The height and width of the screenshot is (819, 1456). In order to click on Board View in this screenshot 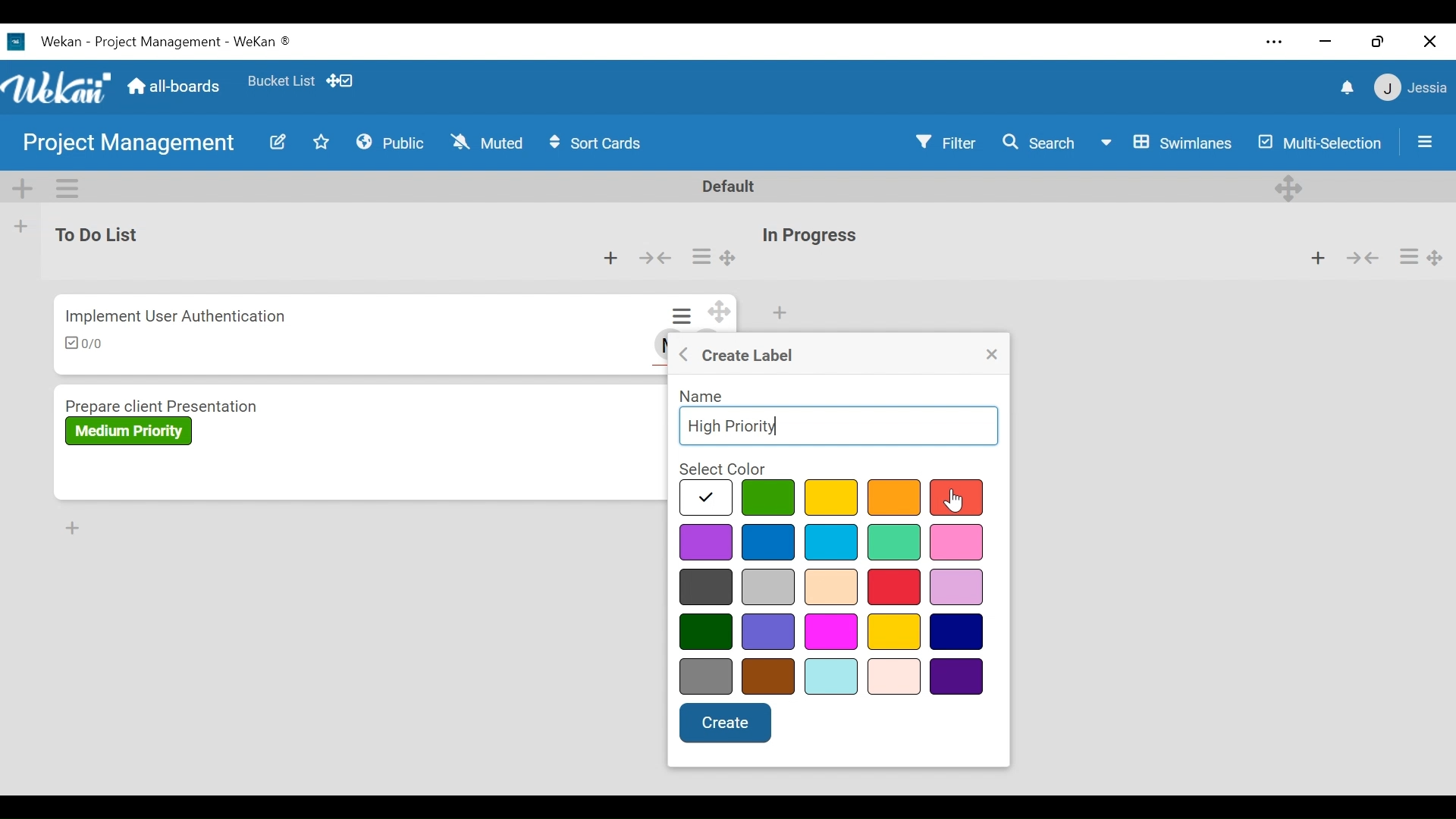, I will do `click(1166, 143)`.